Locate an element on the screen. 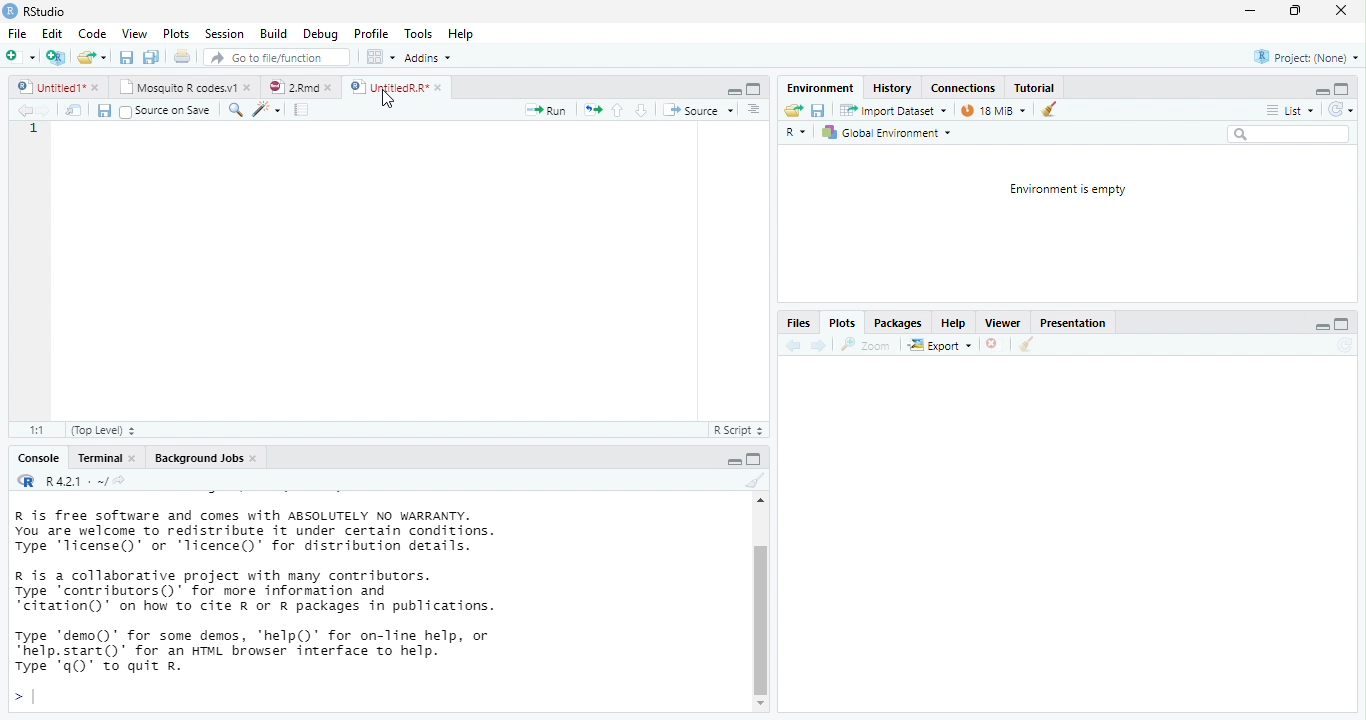  clear is located at coordinates (1025, 346).